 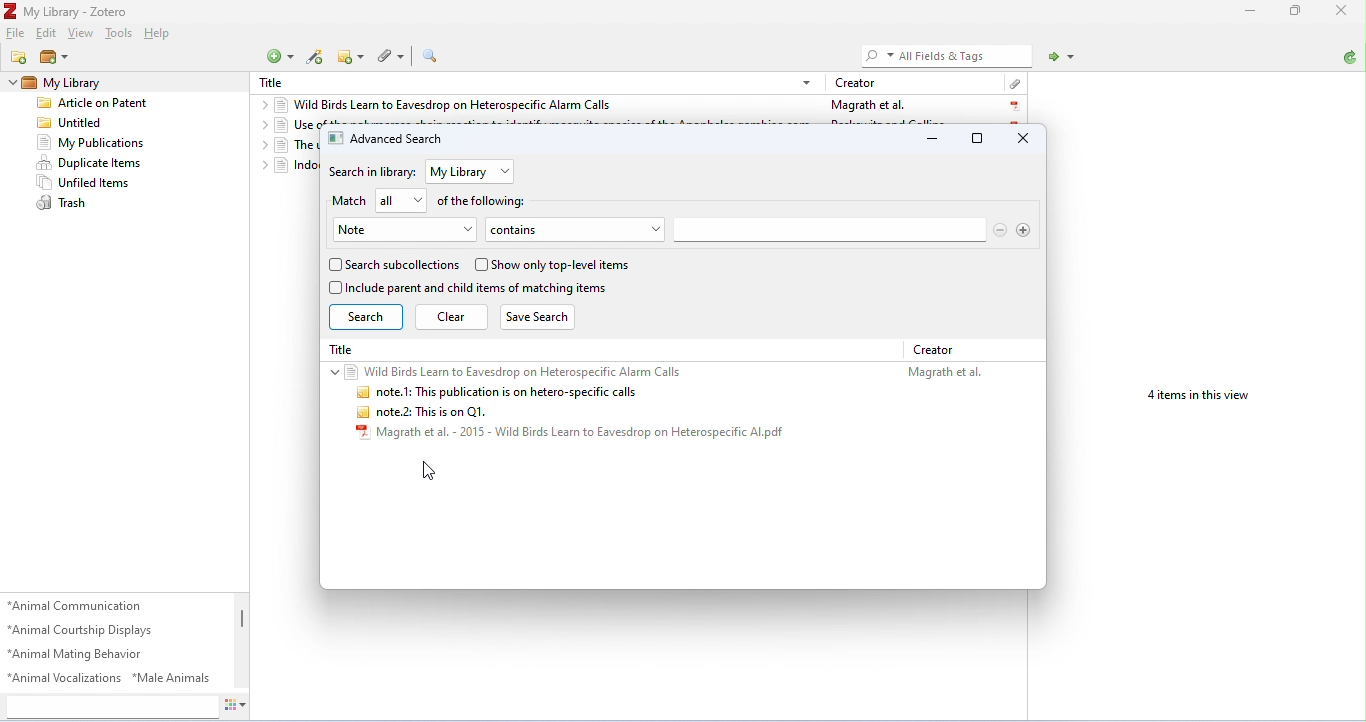 I want to click on checkbox, so click(x=335, y=265).